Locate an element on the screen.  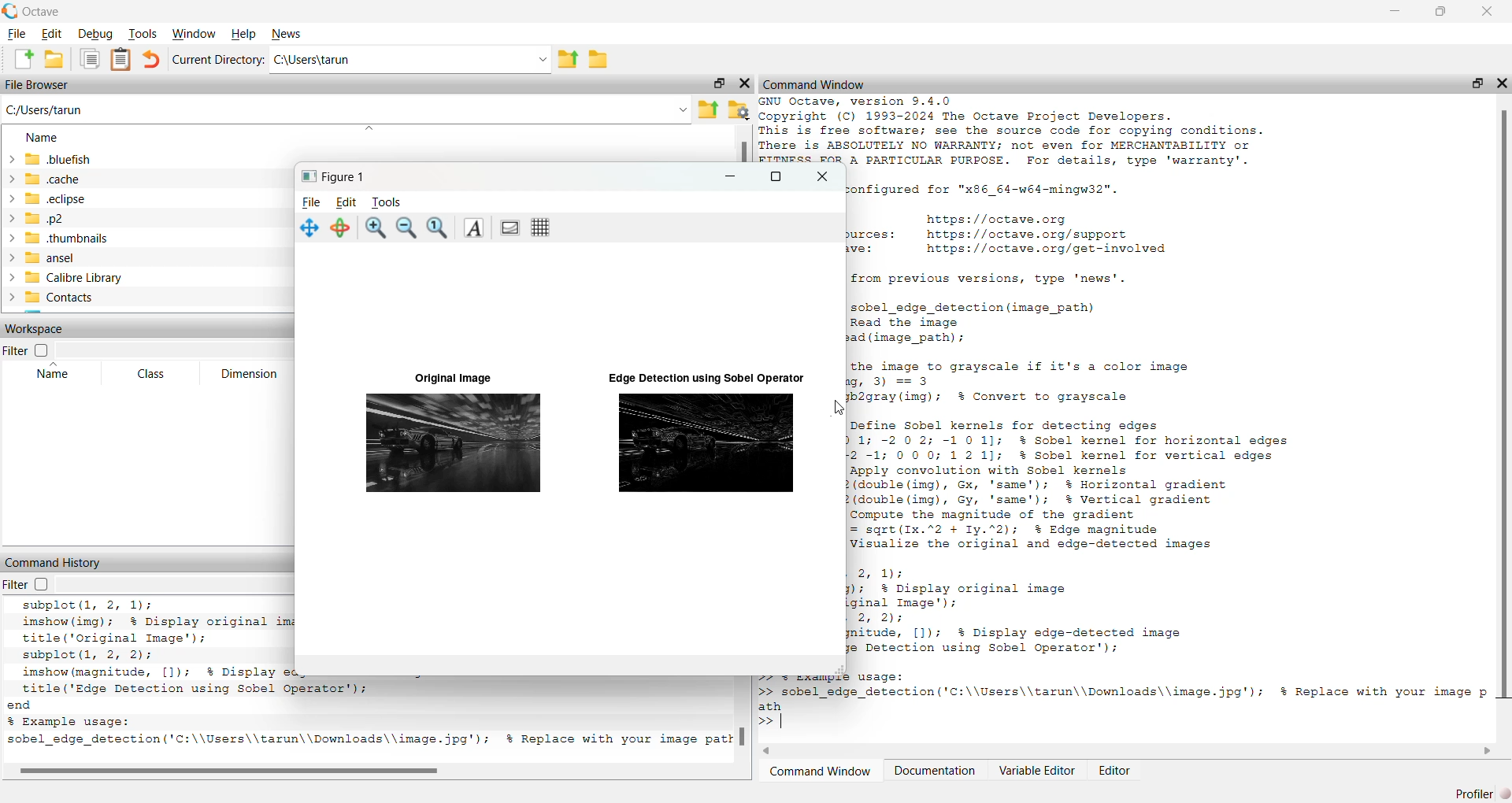
Toggle current axes grid visibility (edited)  is located at coordinates (543, 228).